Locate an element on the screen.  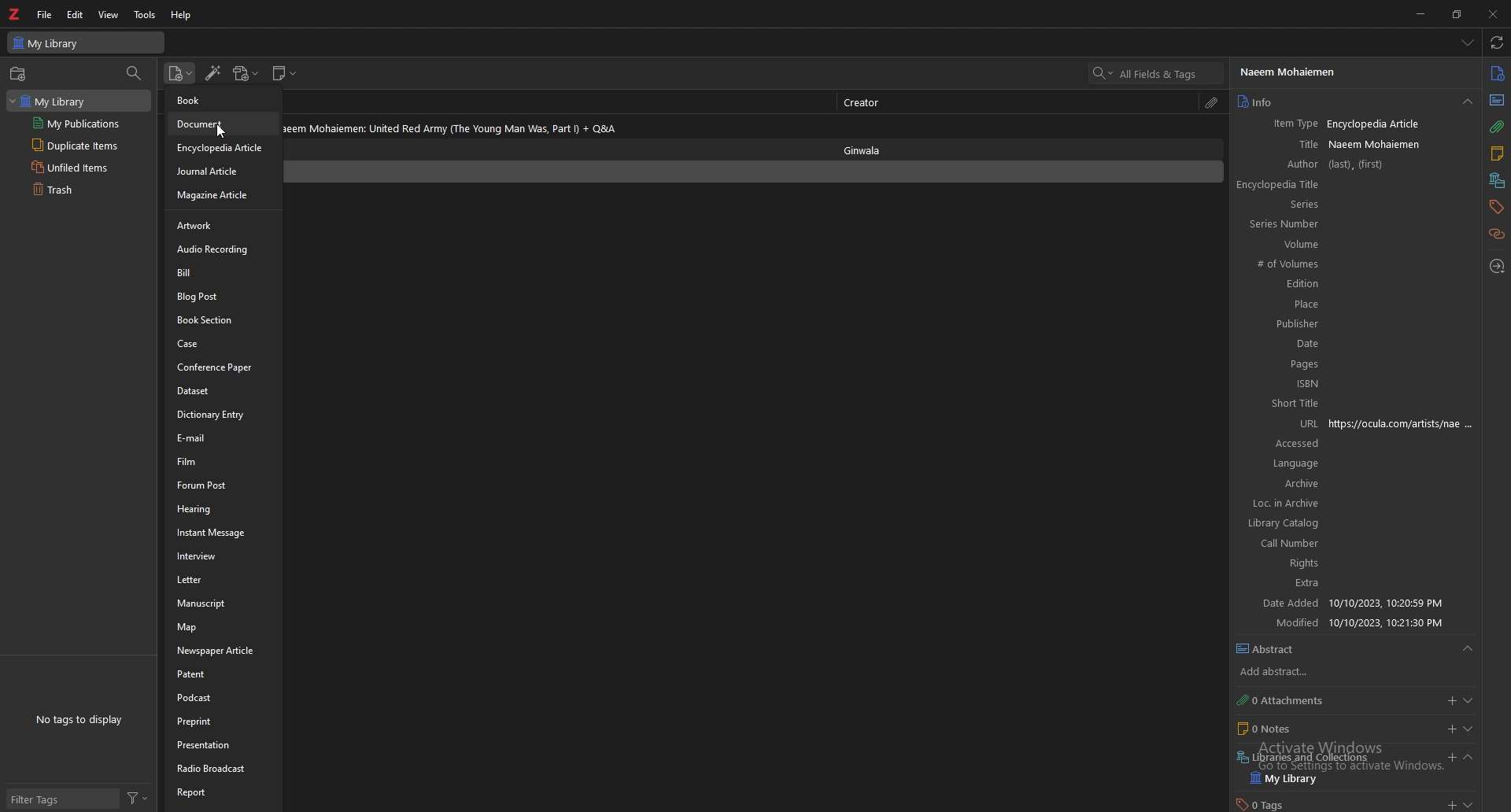
add item by identifier is located at coordinates (214, 74).